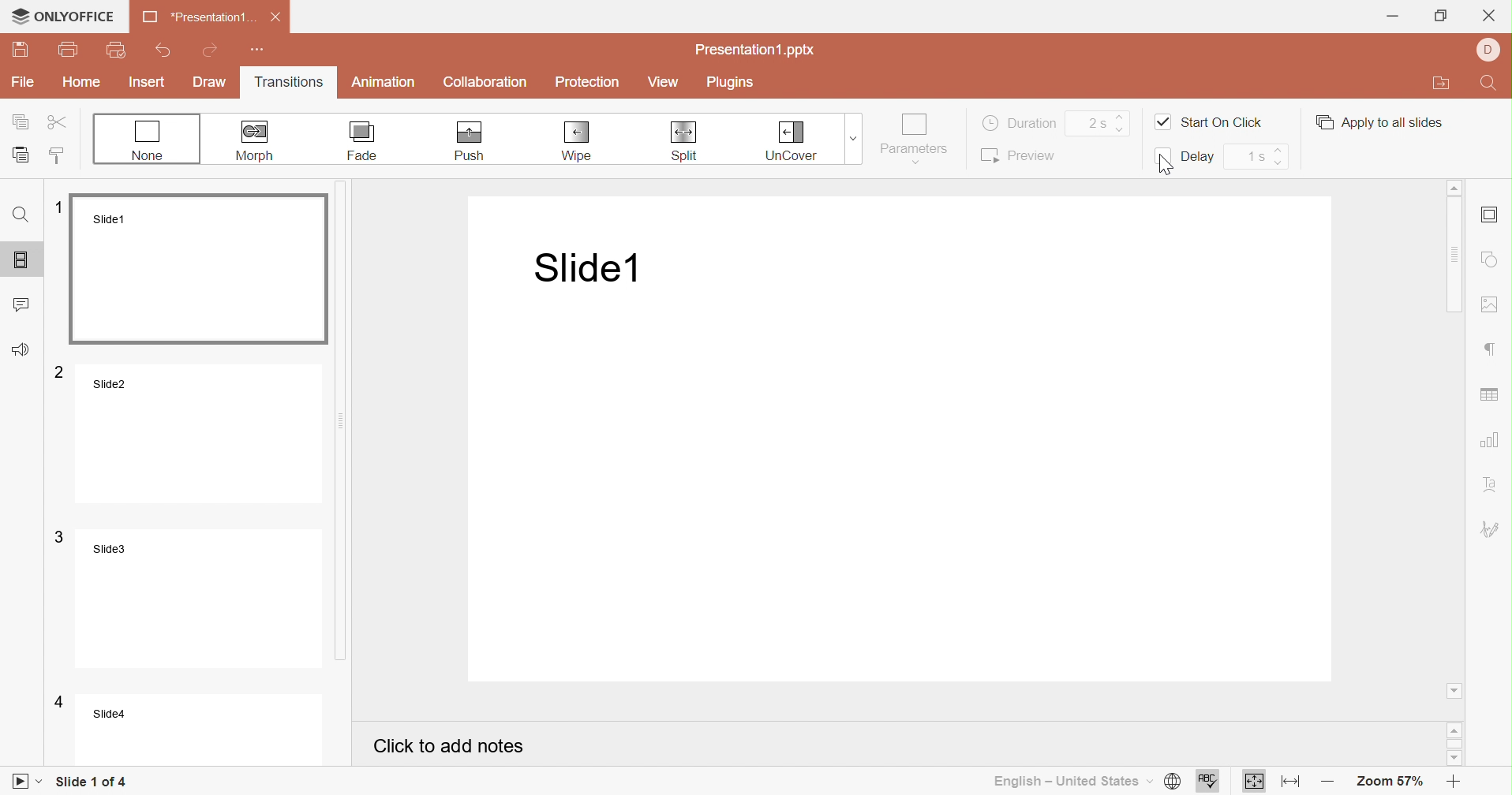 This screenshot has width=1512, height=795. What do you see at coordinates (908, 480) in the screenshot?
I see `Presentation slide` at bounding box center [908, 480].